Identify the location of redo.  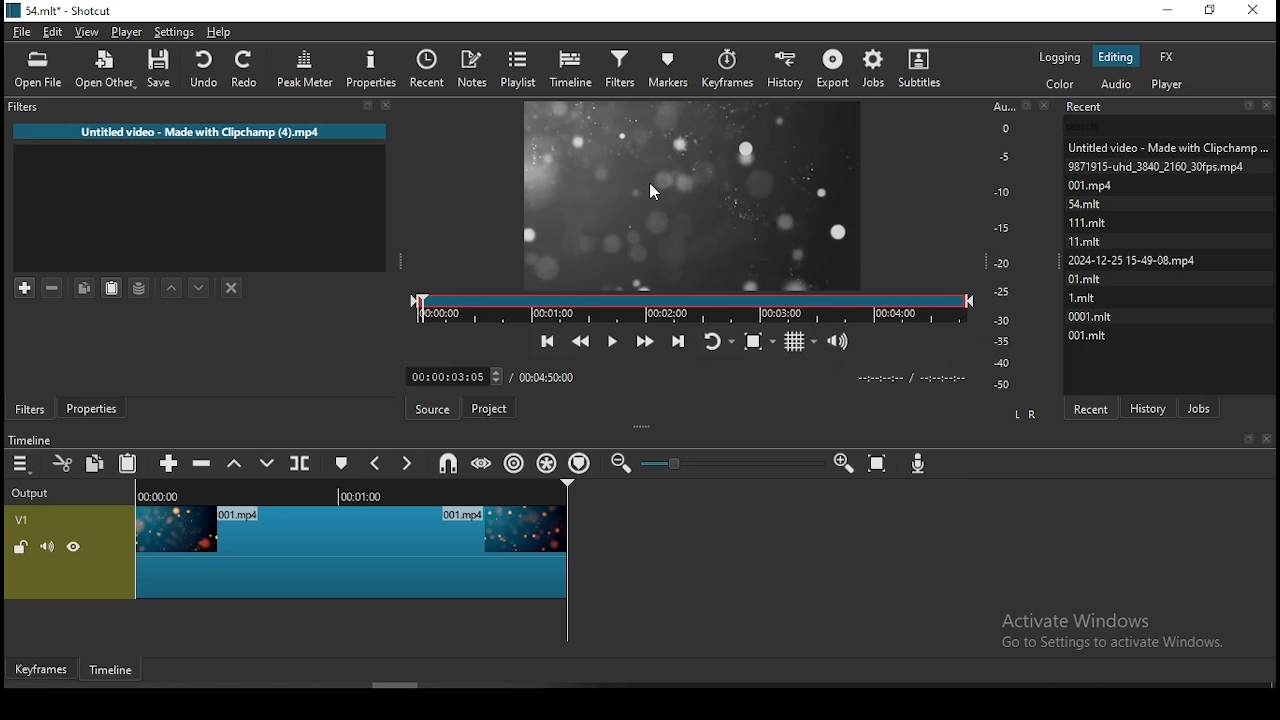
(247, 69).